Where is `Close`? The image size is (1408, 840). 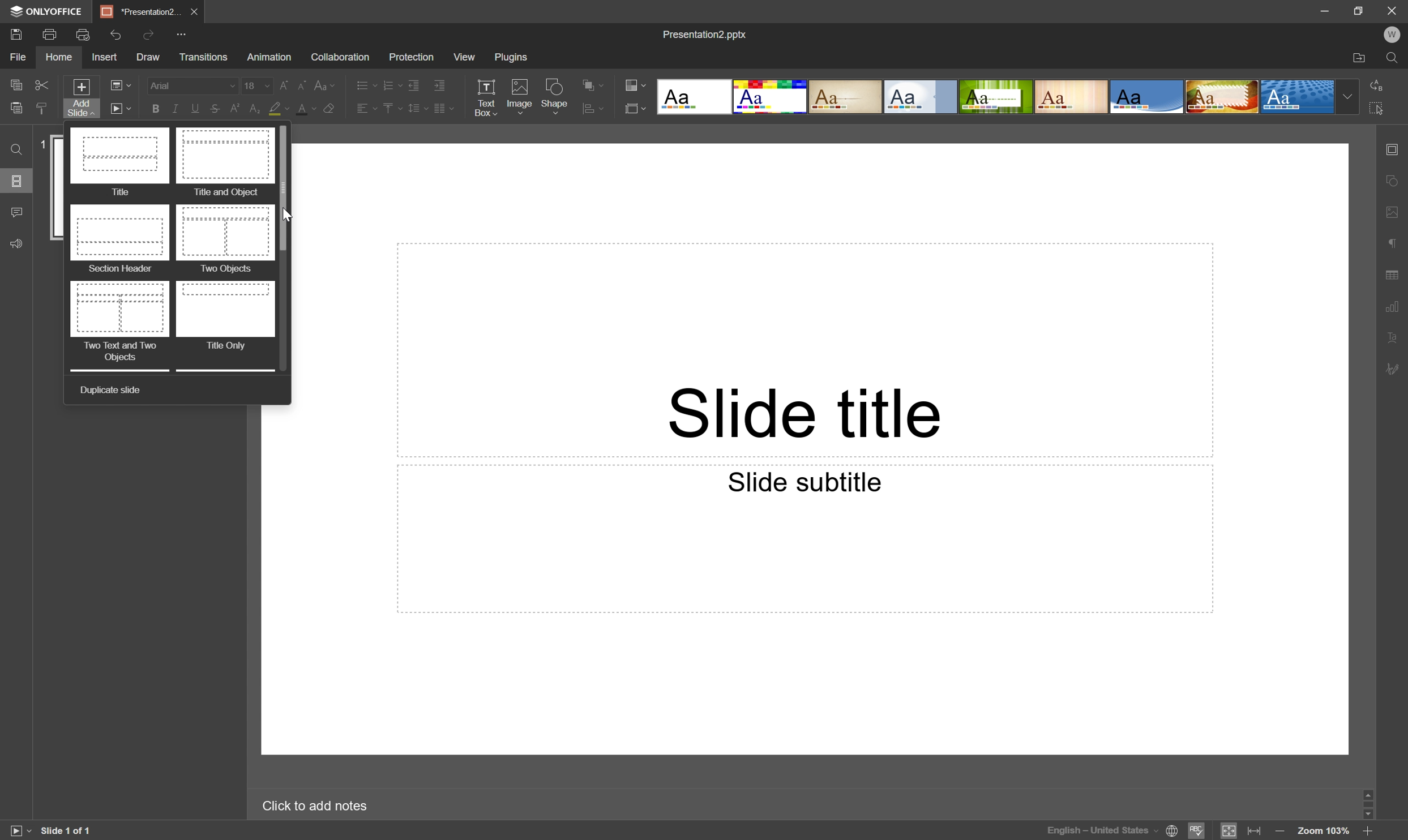
Close is located at coordinates (1390, 9).